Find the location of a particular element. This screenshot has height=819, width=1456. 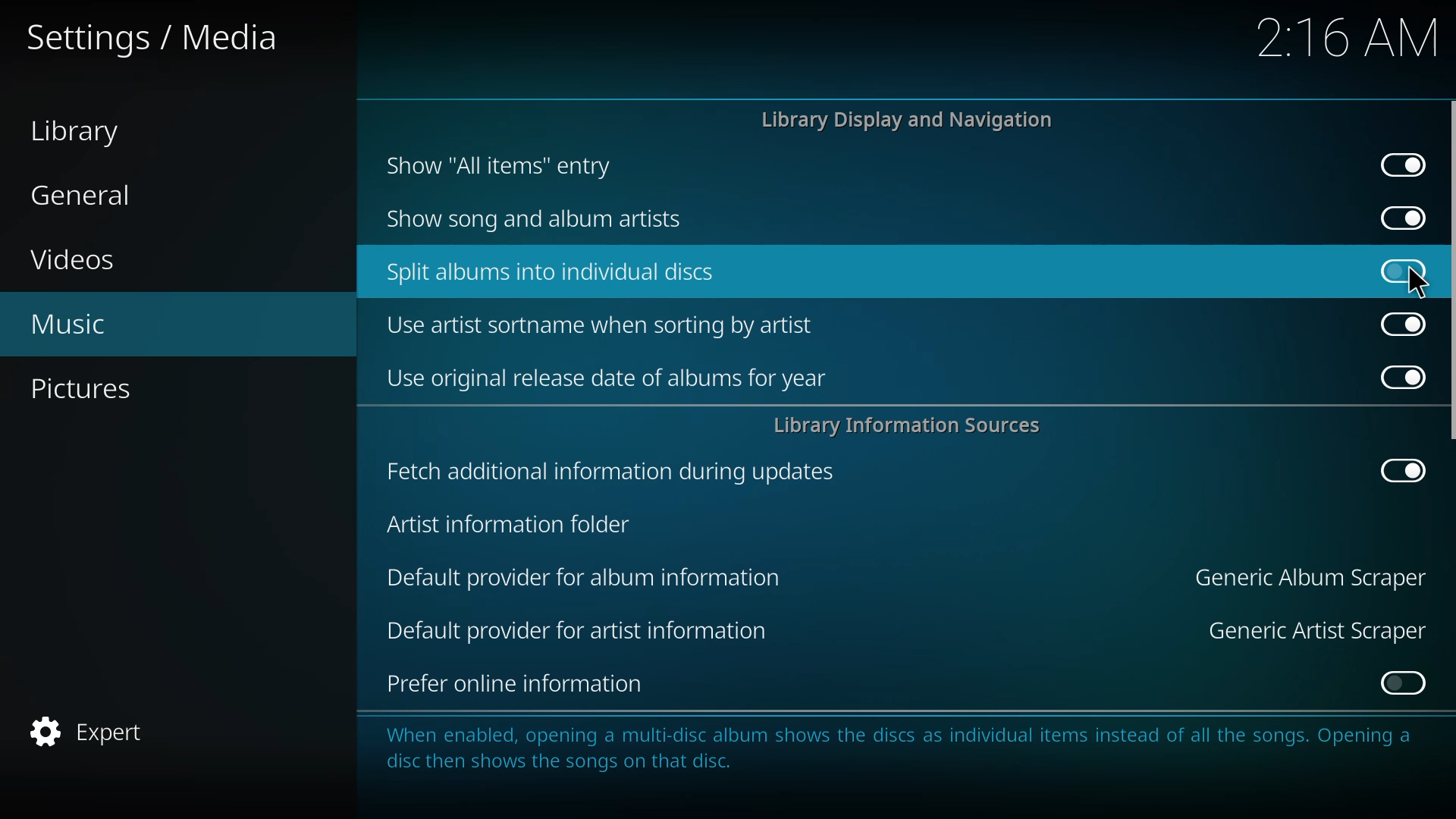

generic is located at coordinates (1307, 577).